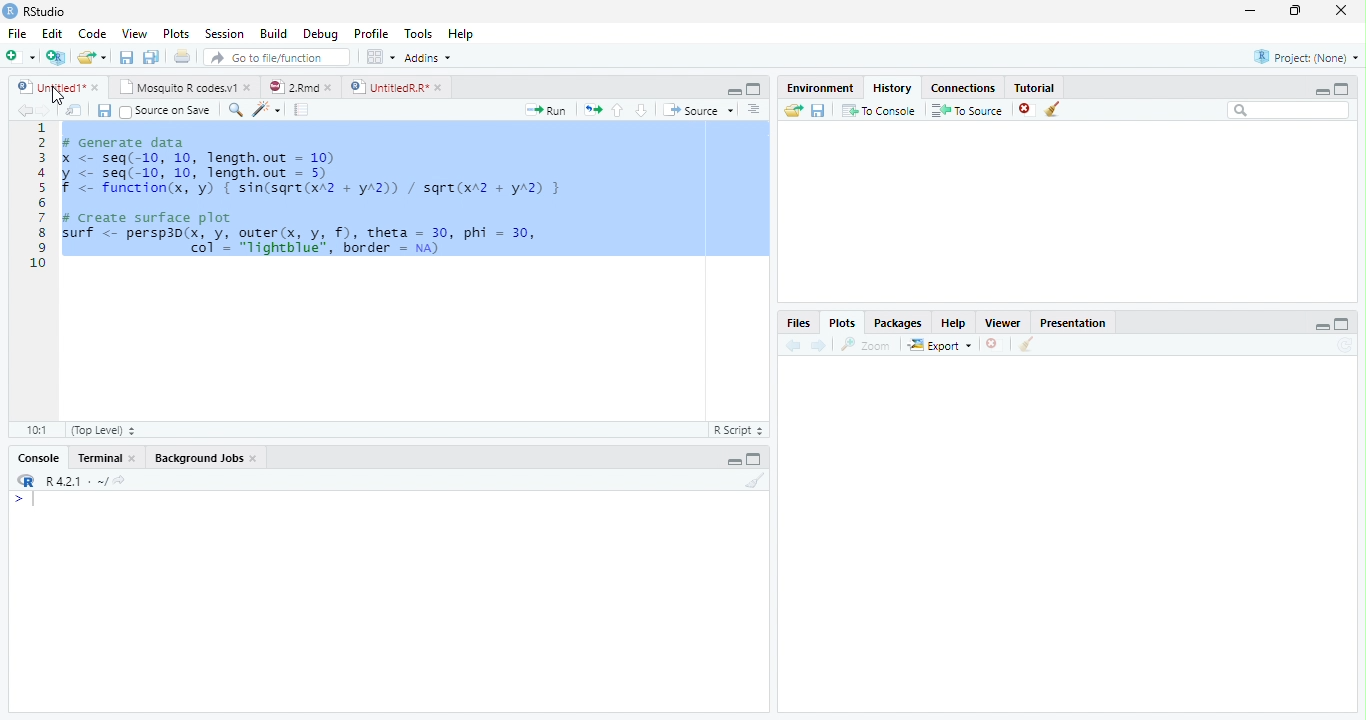  I want to click on (Top Level), so click(105, 430).